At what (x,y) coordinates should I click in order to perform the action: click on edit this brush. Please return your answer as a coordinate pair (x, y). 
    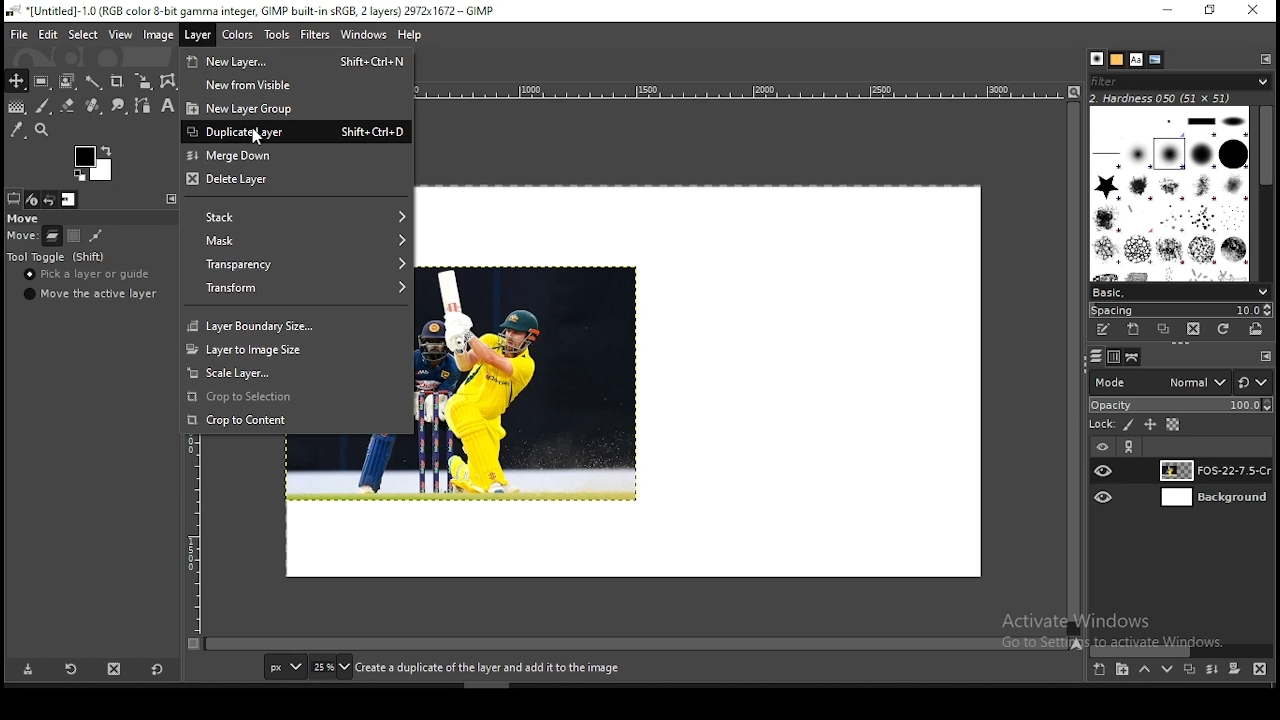
    Looking at the image, I should click on (1103, 329).